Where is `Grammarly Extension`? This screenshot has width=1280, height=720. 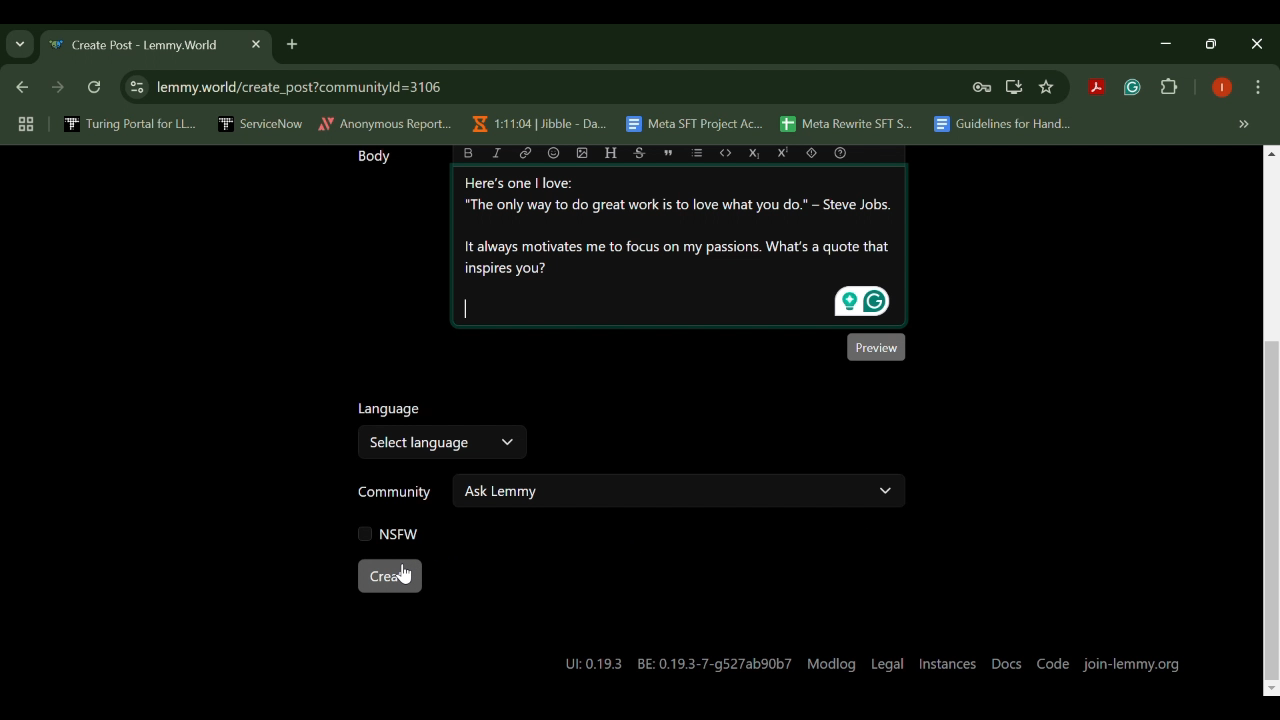
Grammarly Extension is located at coordinates (1130, 88).